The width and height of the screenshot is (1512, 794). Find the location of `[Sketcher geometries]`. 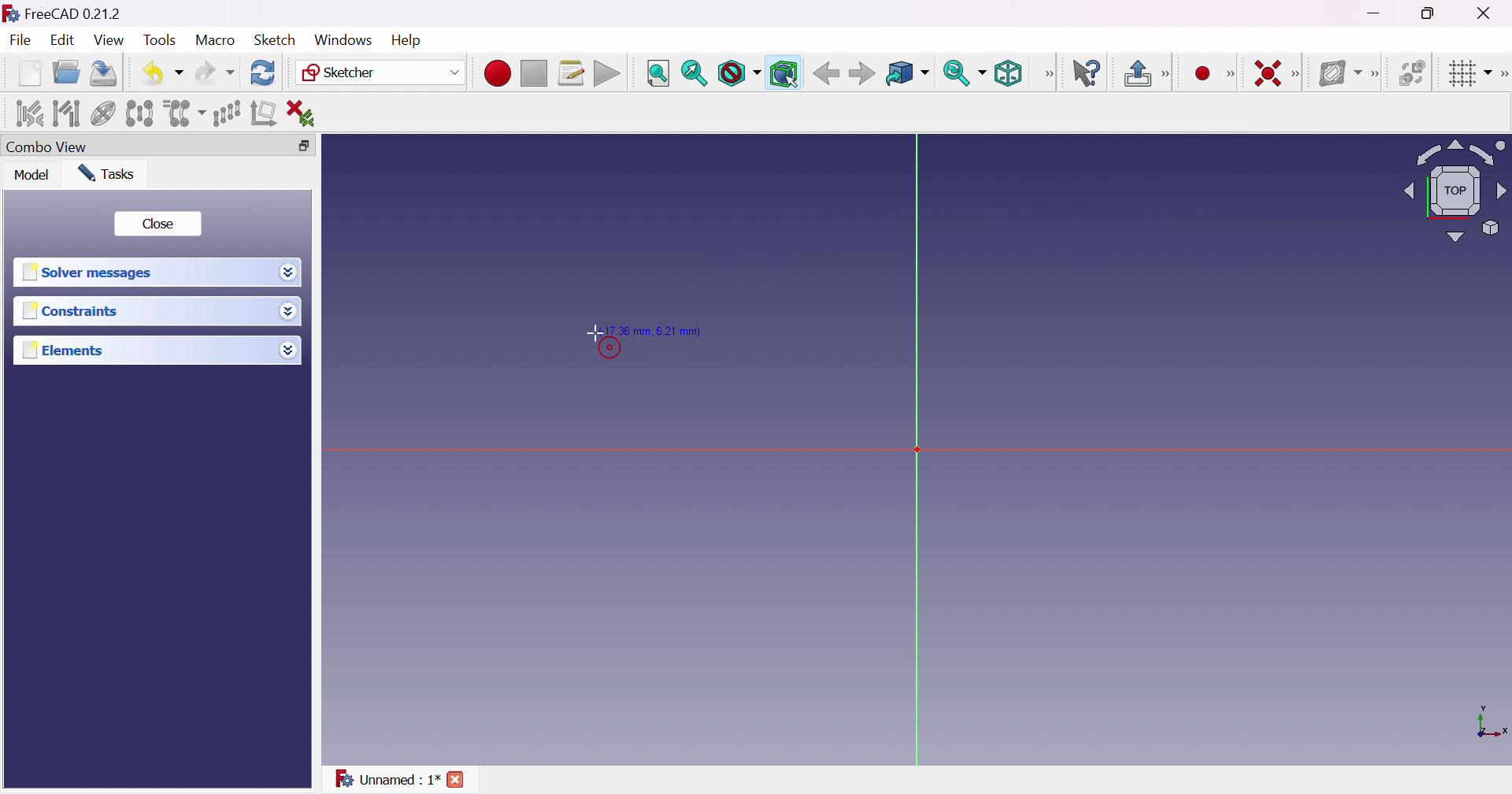

[Sketcher geometries] is located at coordinates (1235, 74).